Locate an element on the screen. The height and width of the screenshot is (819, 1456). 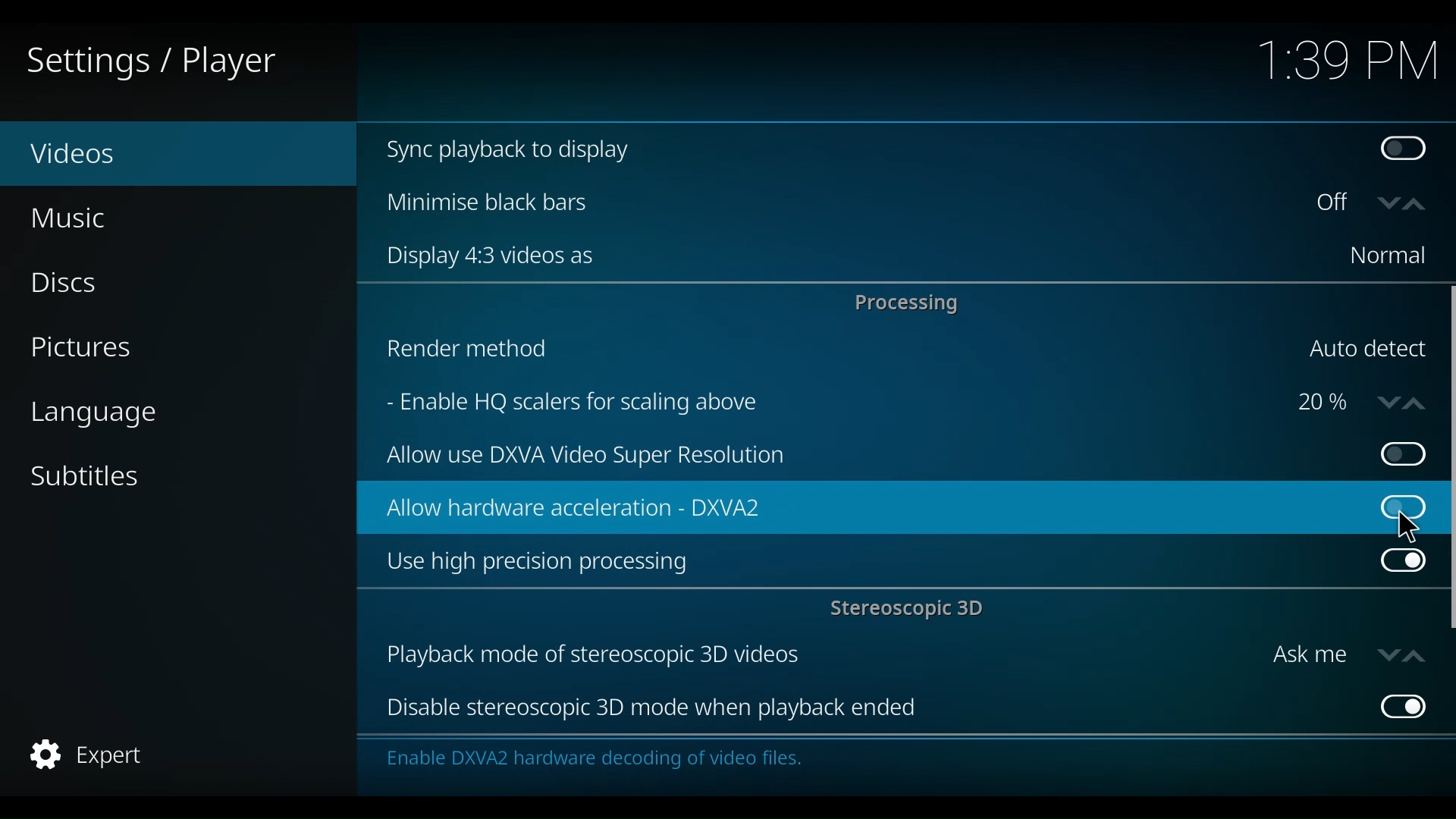
up is located at coordinates (1417, 400).